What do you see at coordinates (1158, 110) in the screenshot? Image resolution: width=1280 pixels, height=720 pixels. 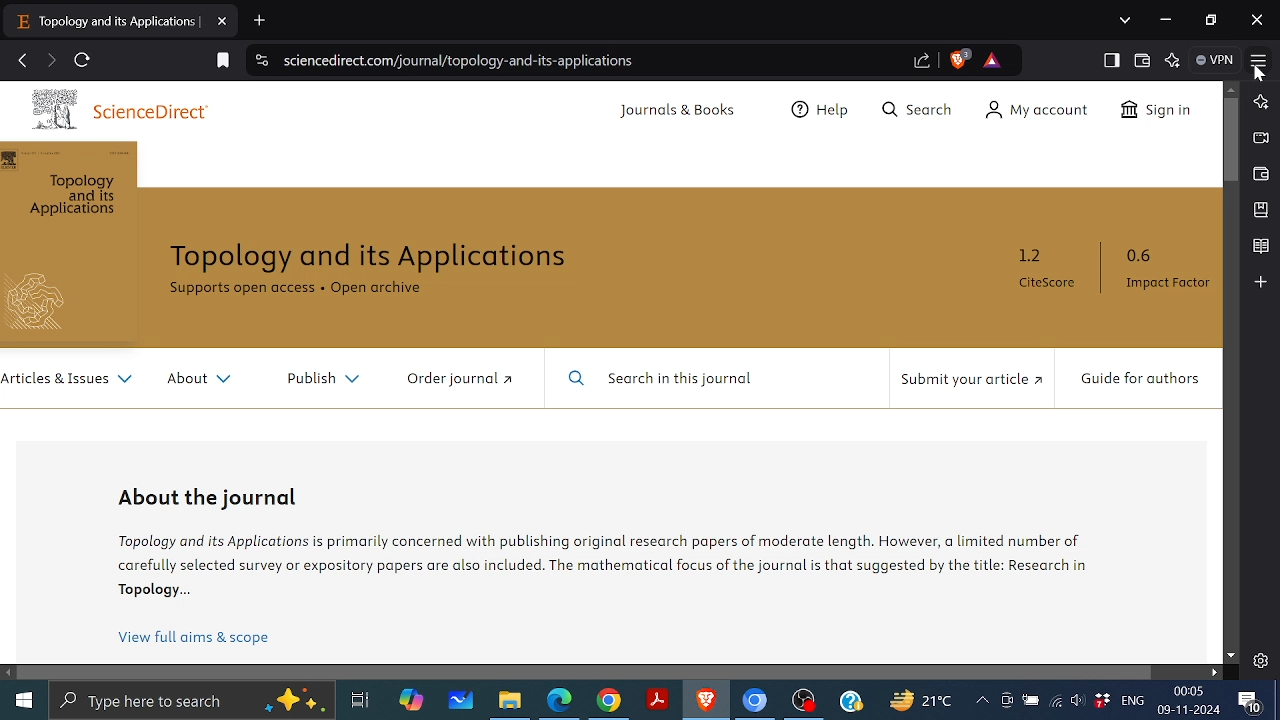 I see `Sign in` at bounding box center [1158, 110].